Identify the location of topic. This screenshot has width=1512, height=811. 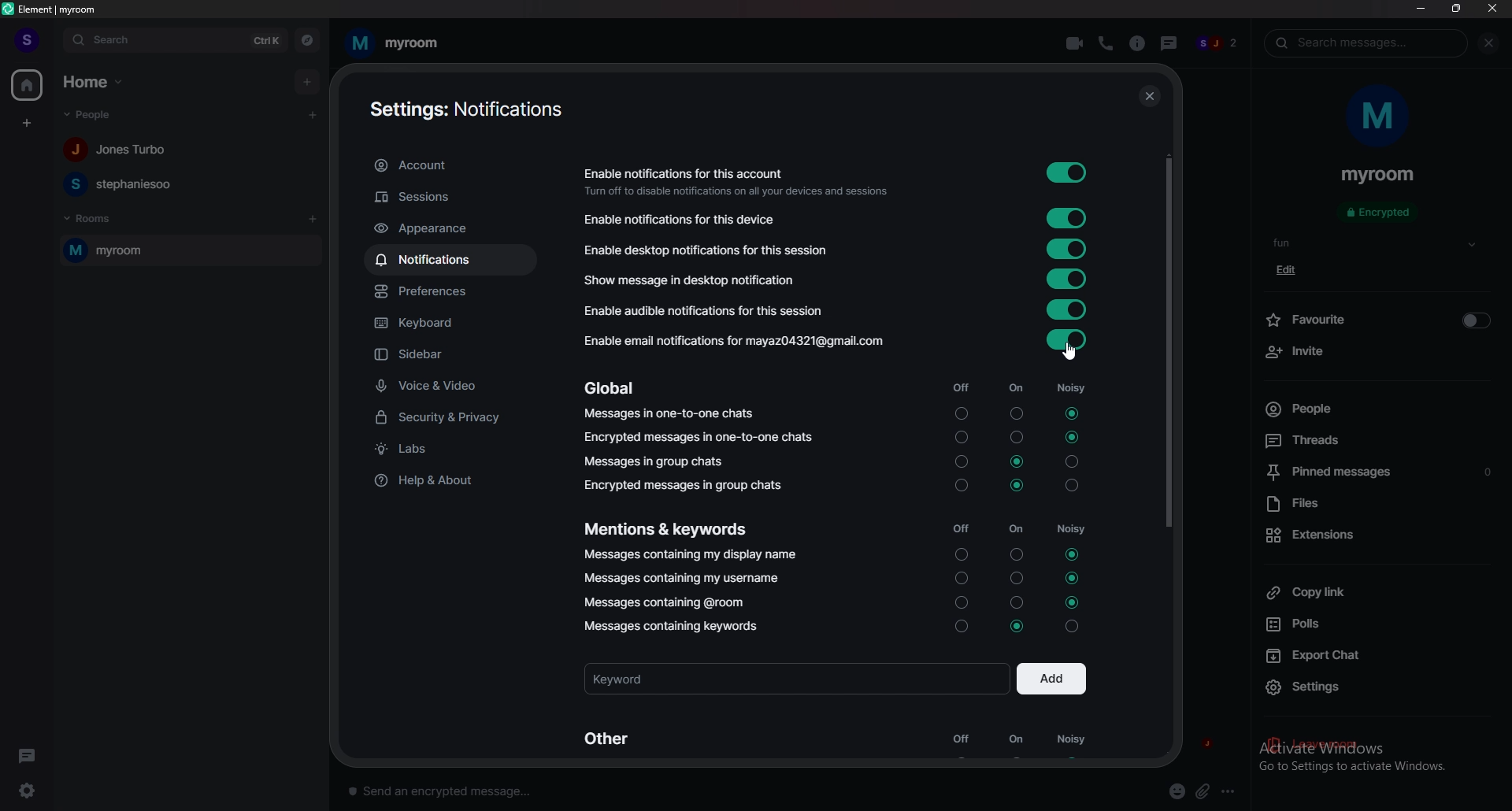
(1294, 243).